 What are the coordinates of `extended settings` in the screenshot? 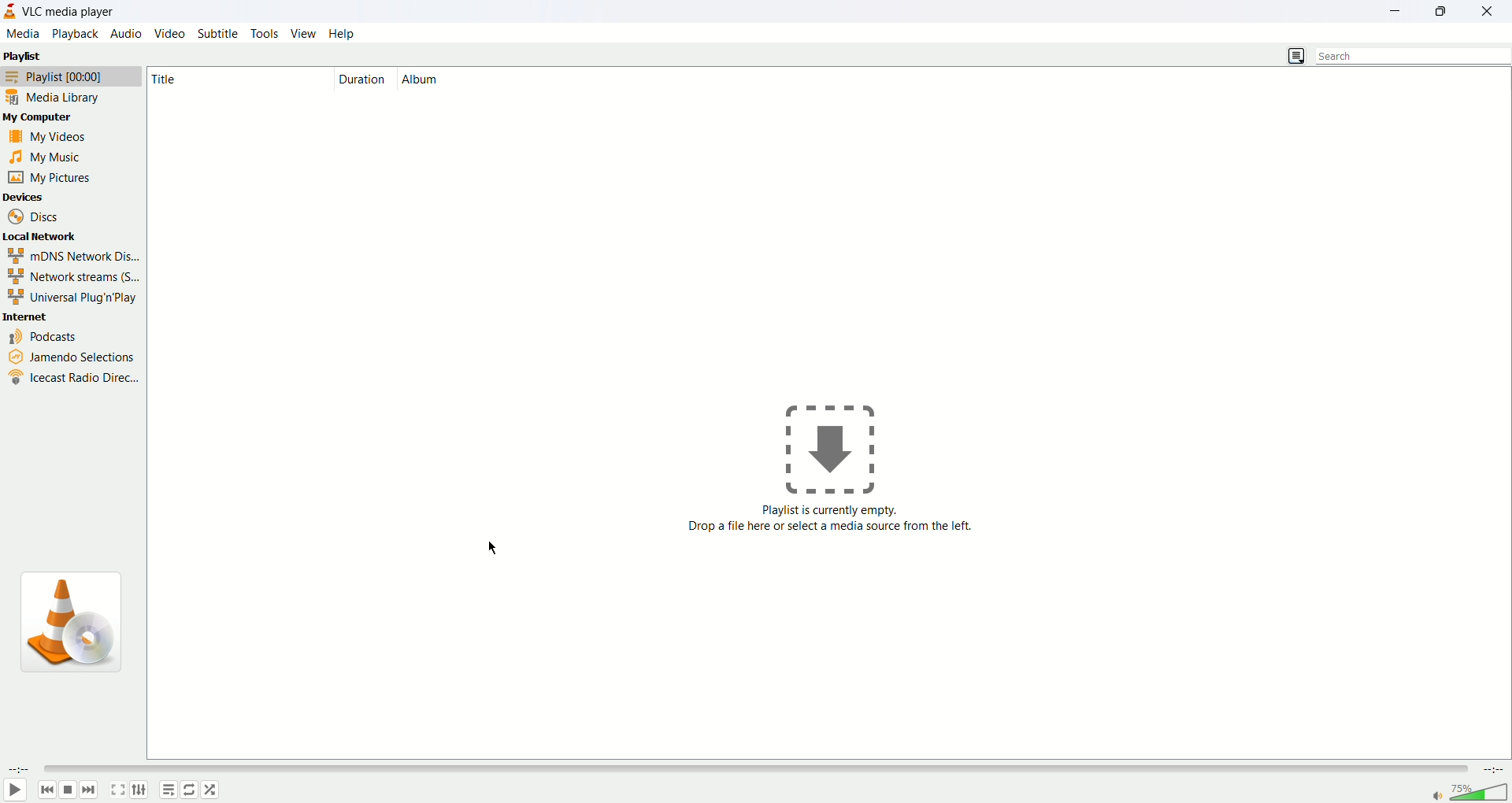 It's located at (139, 790).